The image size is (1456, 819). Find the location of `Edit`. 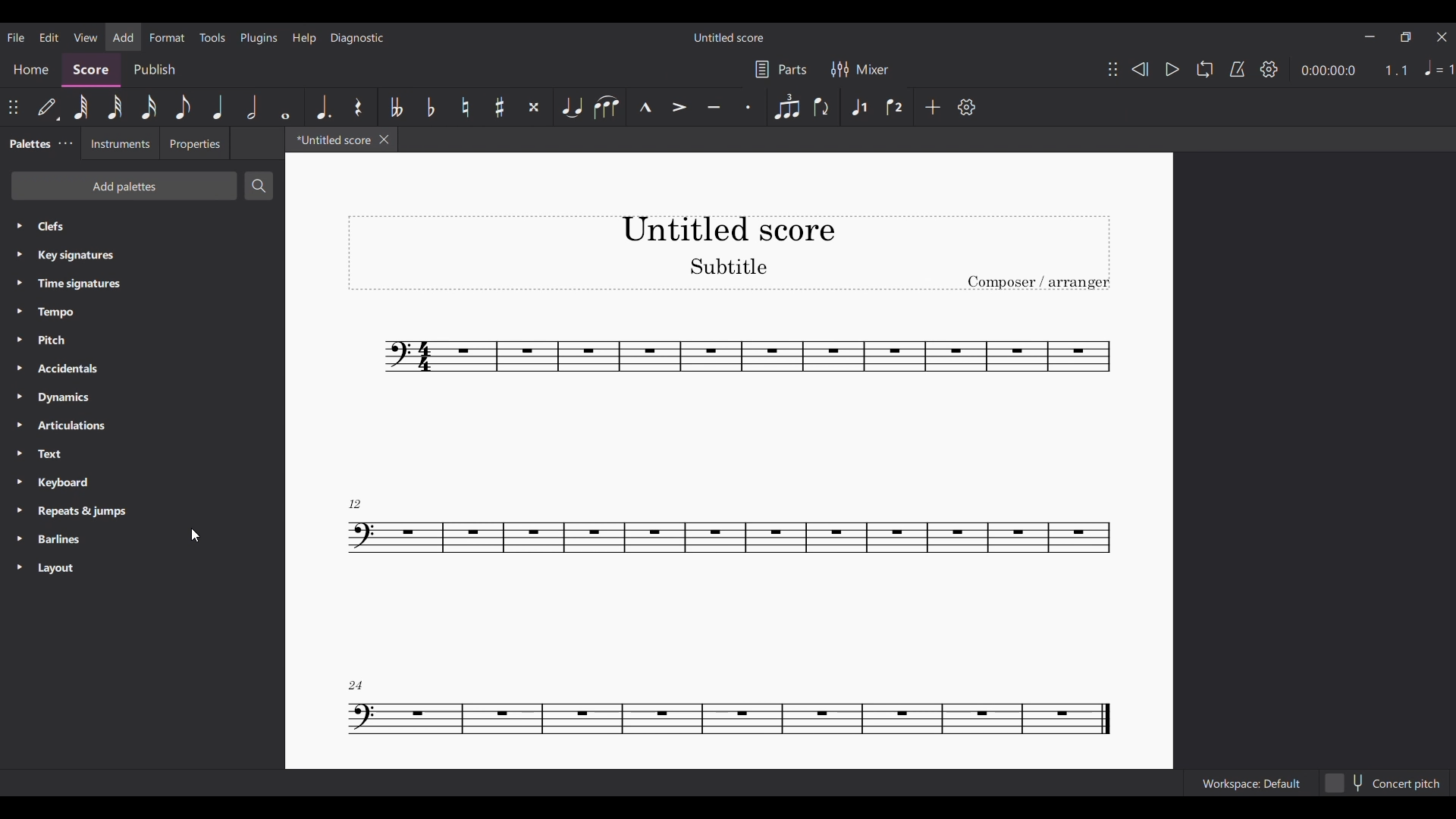

Edit is located at coordinates (49, 37).